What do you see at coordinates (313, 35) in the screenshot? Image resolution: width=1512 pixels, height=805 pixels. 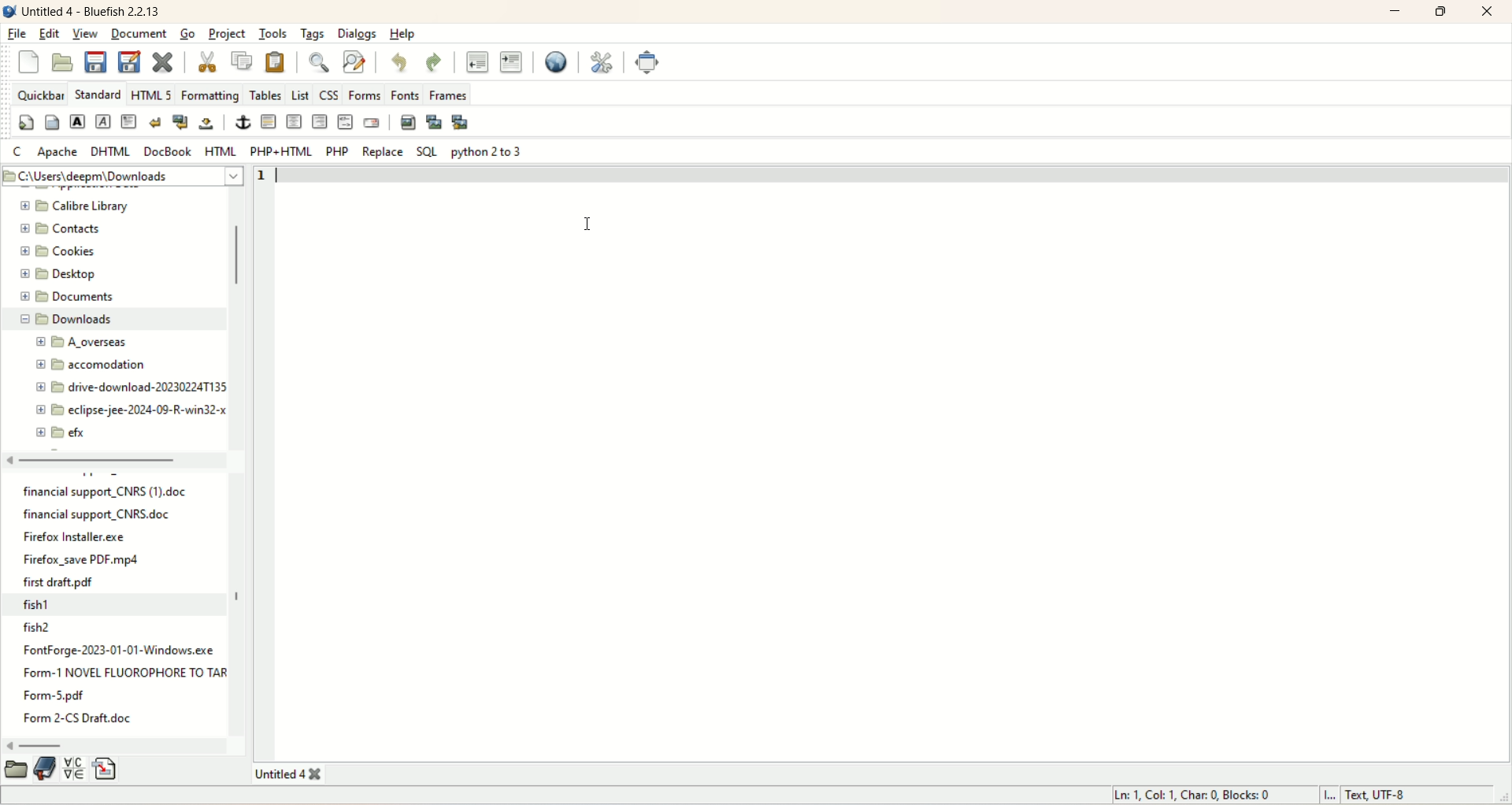 I see `tags` at bounding box center [313, 35].